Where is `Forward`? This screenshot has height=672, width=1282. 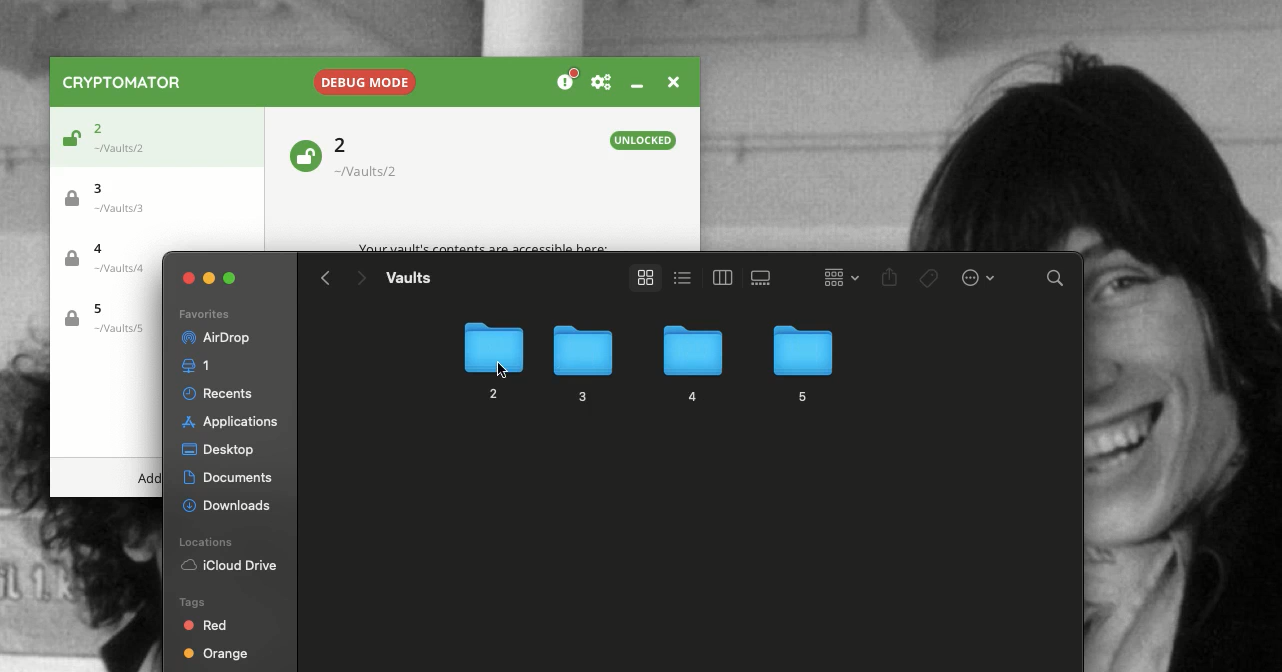 Forward is located at coordinates (360, 280).